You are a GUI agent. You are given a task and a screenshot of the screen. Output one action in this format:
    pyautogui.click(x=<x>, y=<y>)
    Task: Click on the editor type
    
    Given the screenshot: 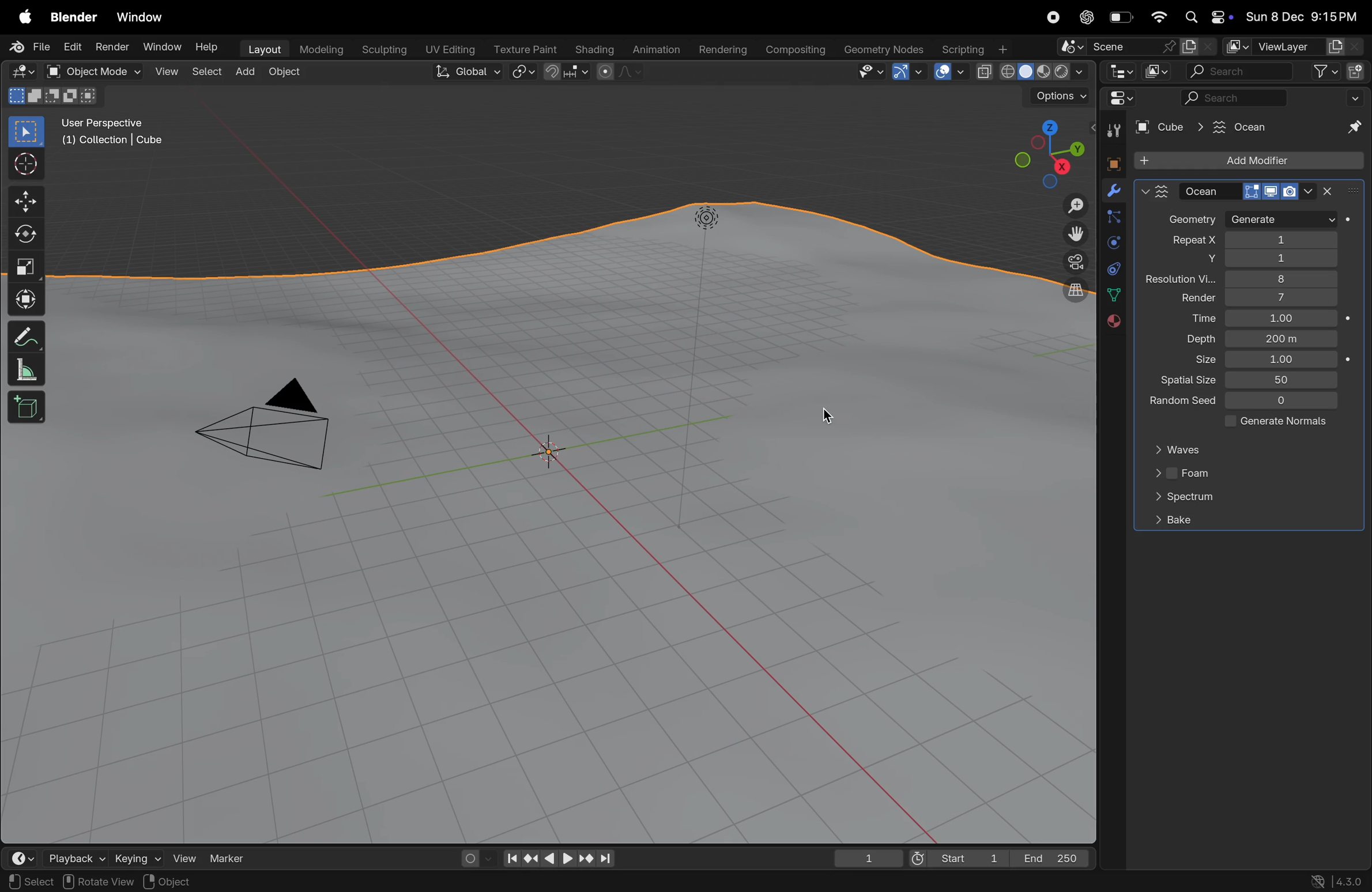 What is the action you would take?
    pyautogui.click(x=22, y=72)
    